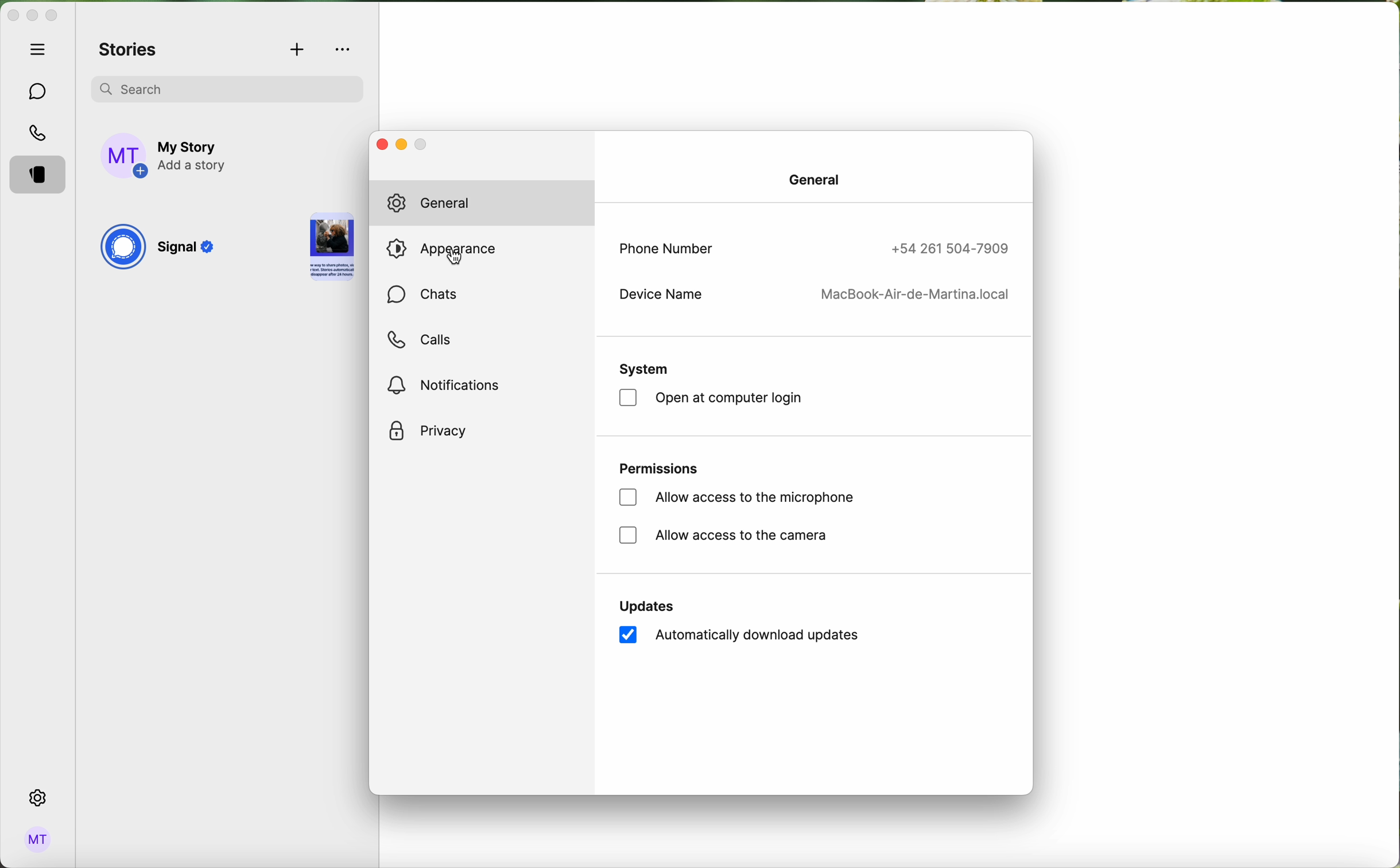 Image resolution: width=1400 pixels, height=868 pixels. Describe the element at coordinates (448, 384) in the screenshot. I see `notifications` at that location.